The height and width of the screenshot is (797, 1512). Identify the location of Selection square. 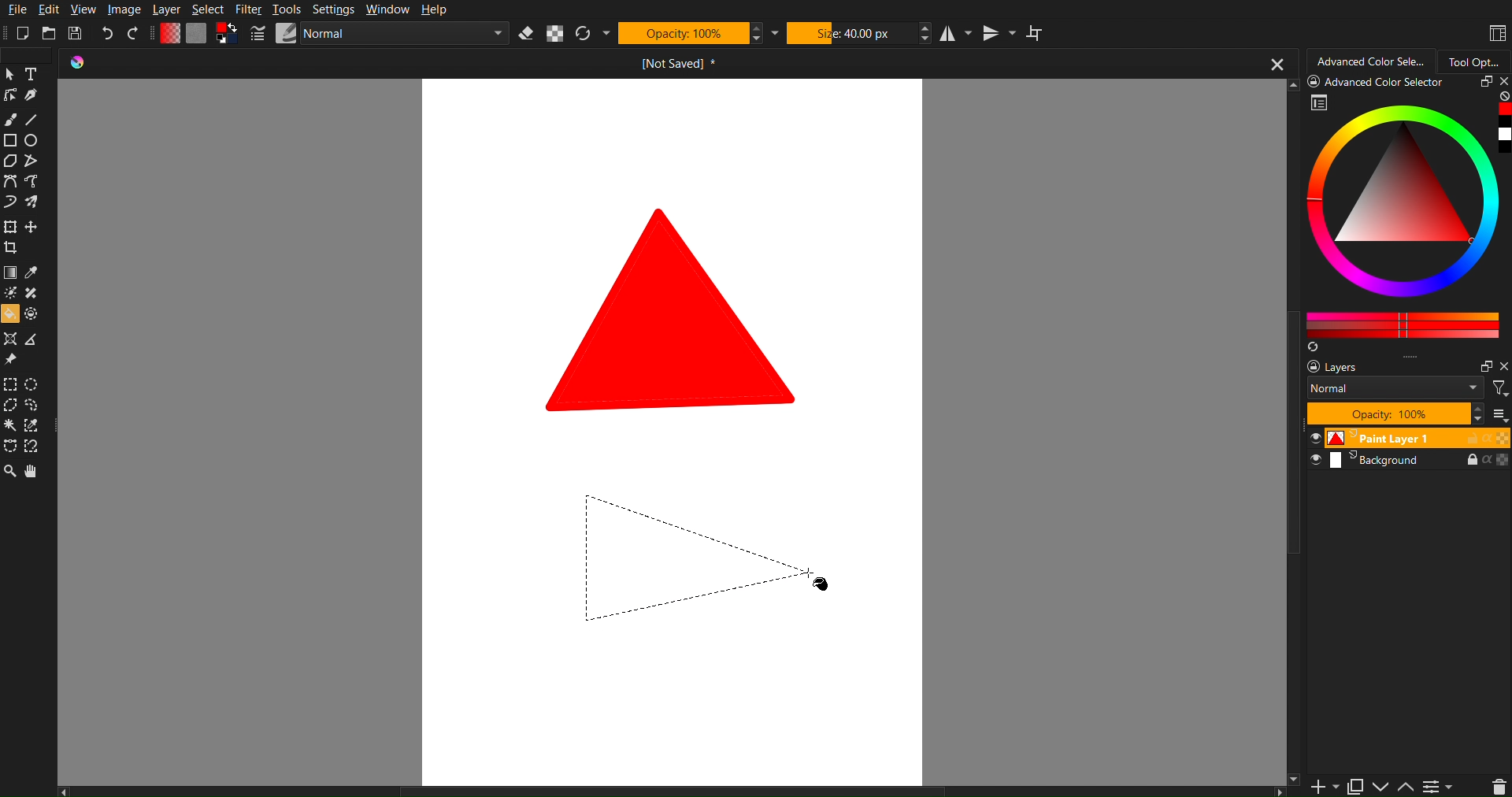
(9, 384).